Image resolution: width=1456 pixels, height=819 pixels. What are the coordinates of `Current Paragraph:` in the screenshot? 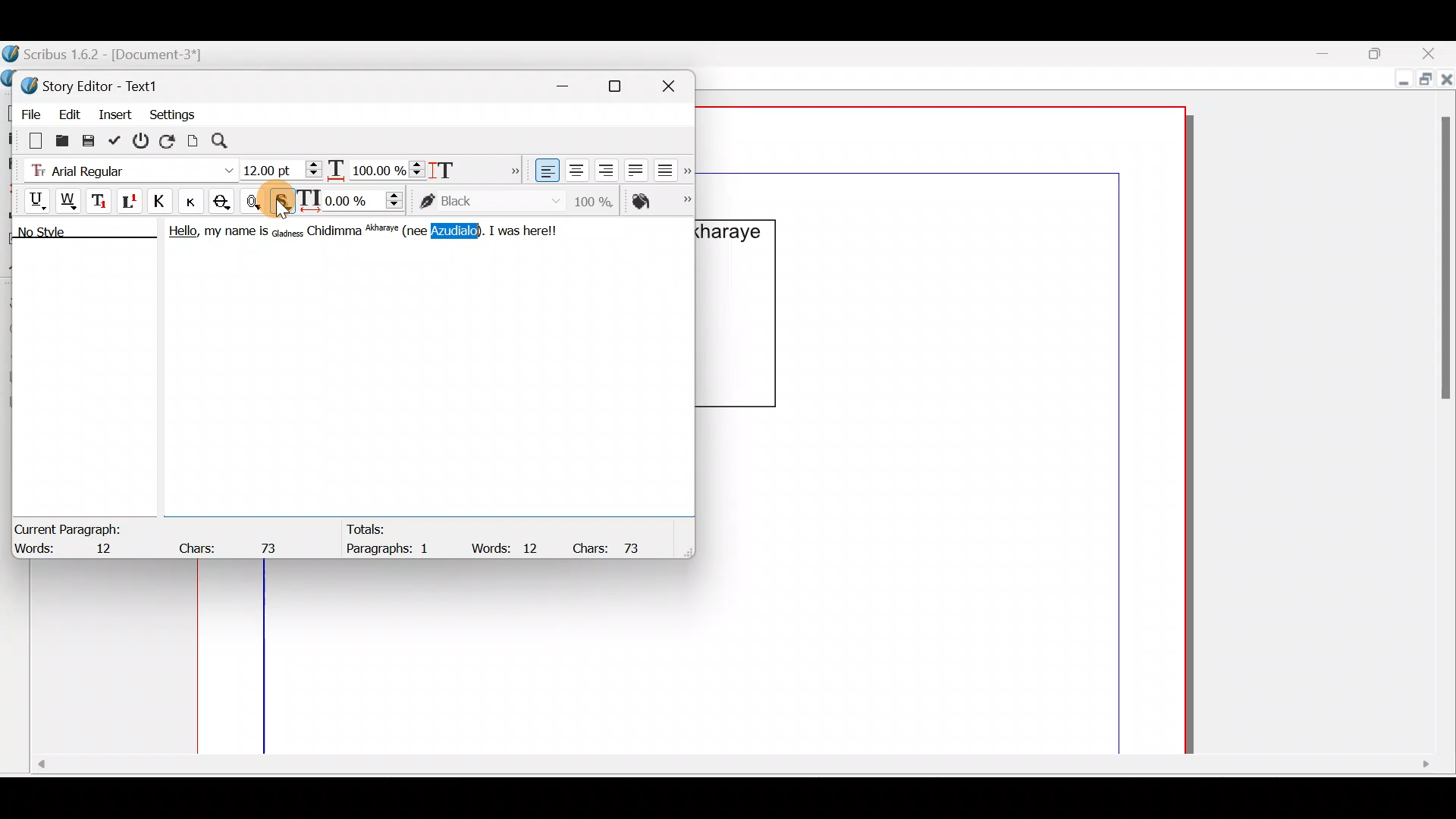 It's located at (70, 527).